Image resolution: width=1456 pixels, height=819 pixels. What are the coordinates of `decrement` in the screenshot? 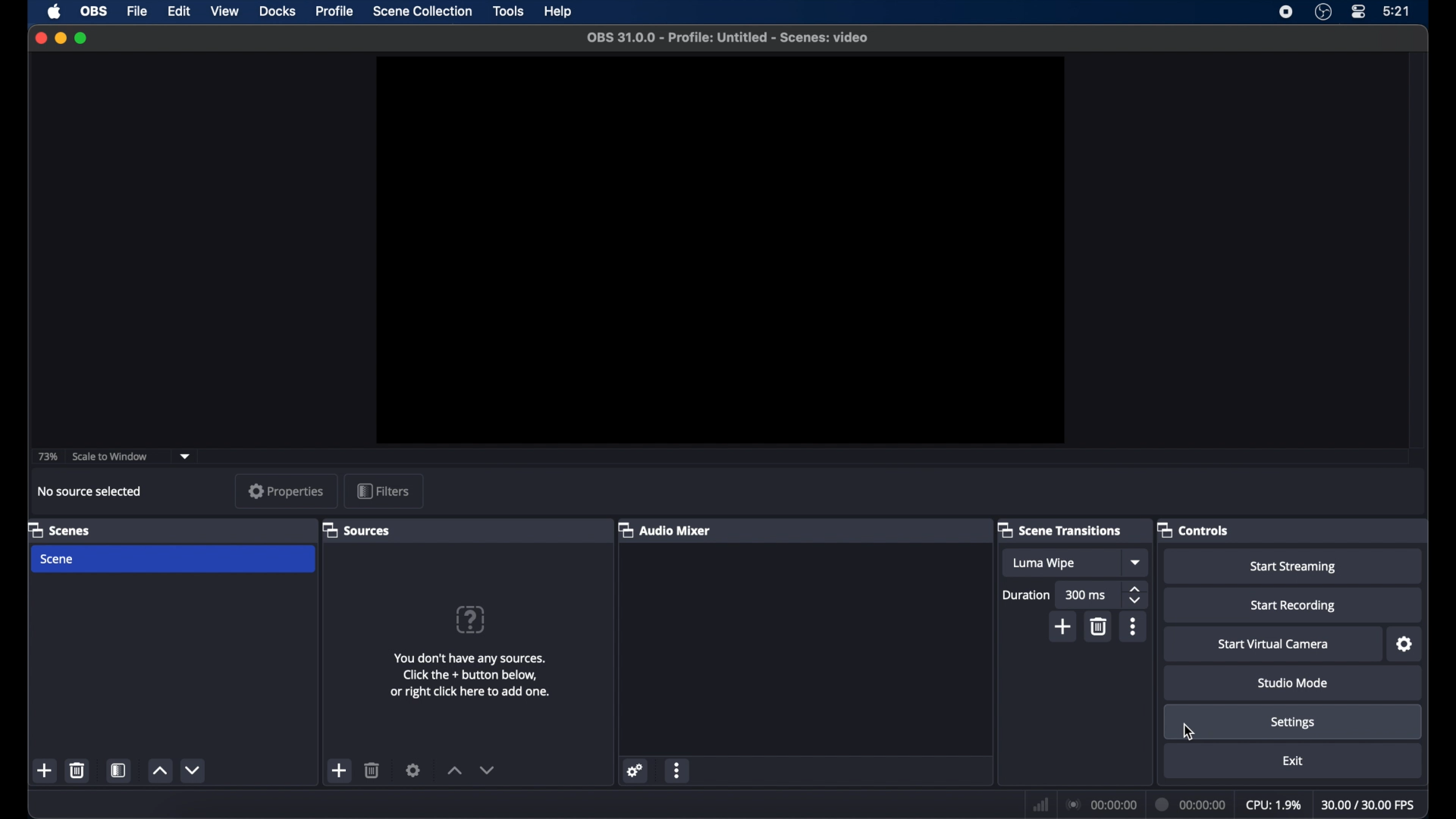 It's located at (195, 770).